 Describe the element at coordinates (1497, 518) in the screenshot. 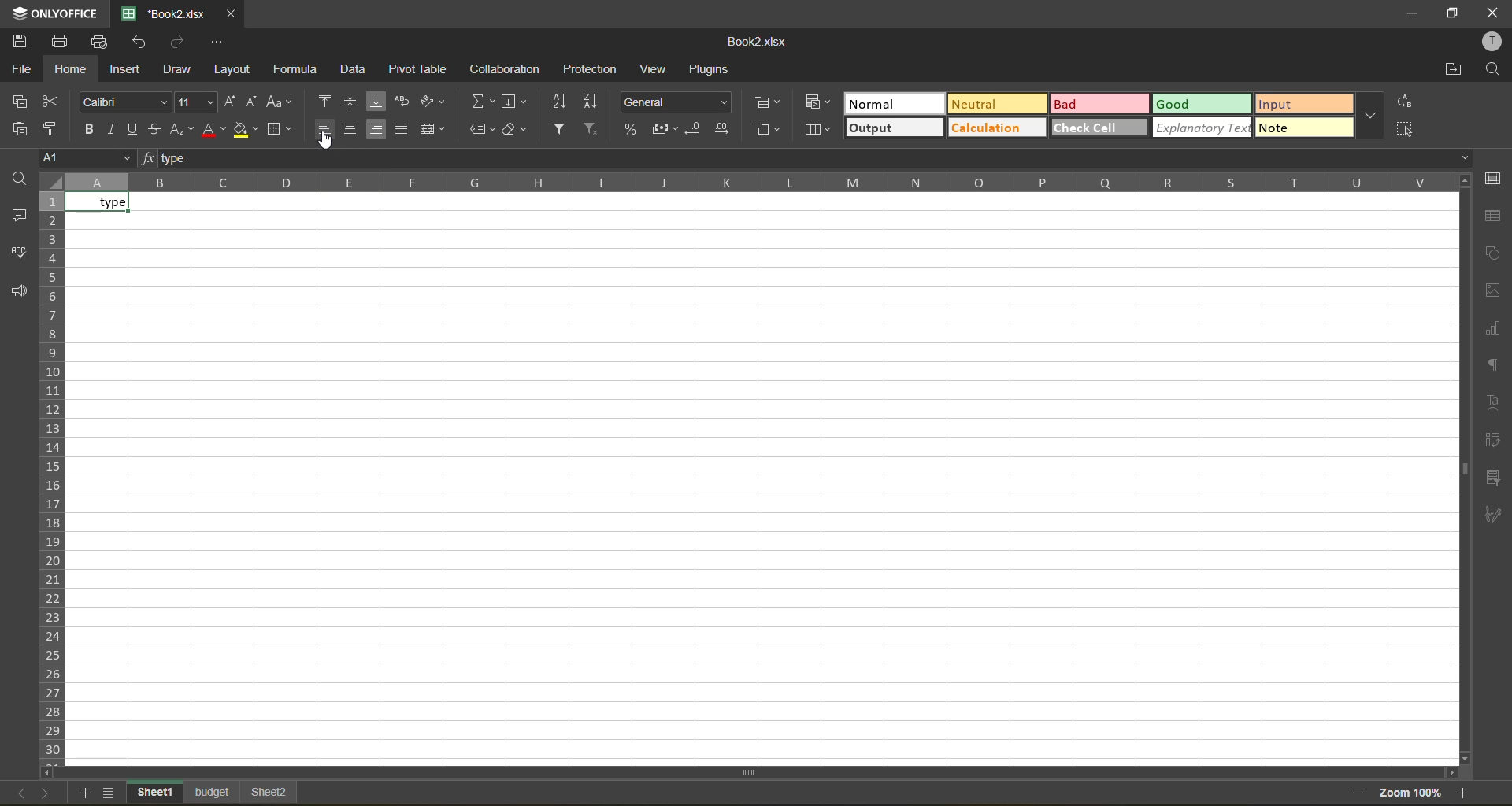

I see `signature` at that location.